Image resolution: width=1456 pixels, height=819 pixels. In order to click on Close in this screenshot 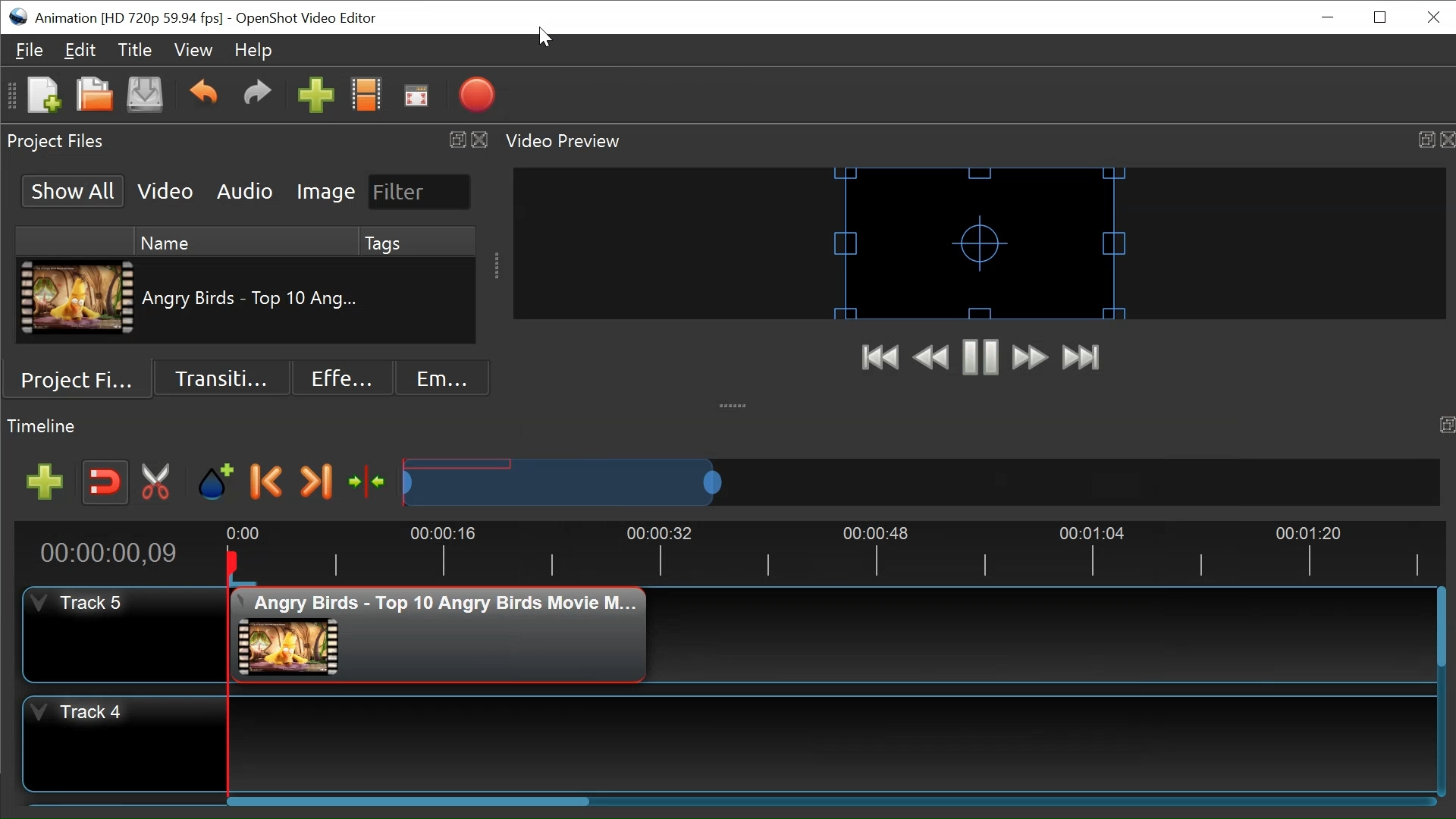, I will do `click(1431, 18)`.